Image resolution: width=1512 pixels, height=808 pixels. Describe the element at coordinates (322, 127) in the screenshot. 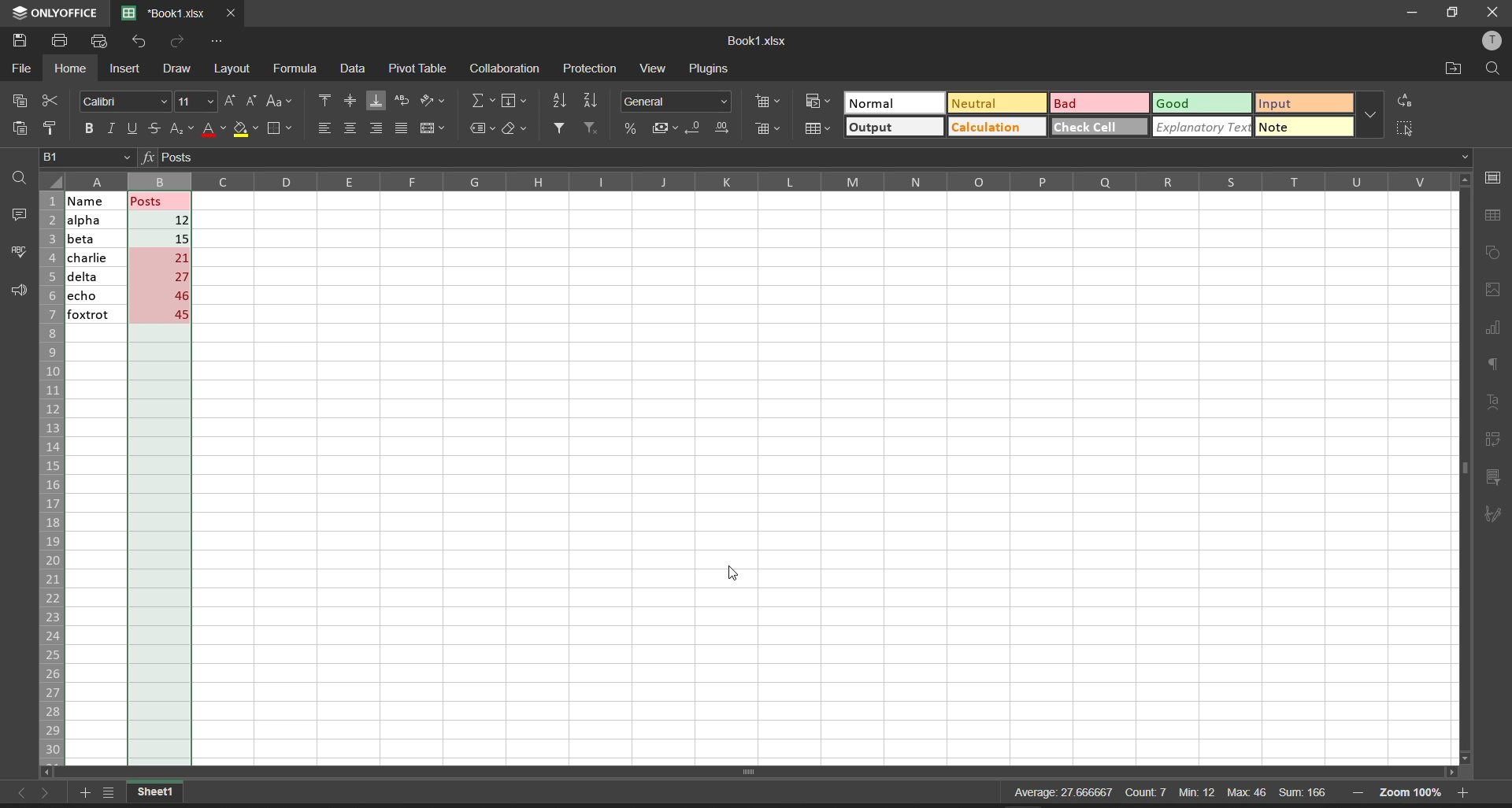

I see `align left` at that location.